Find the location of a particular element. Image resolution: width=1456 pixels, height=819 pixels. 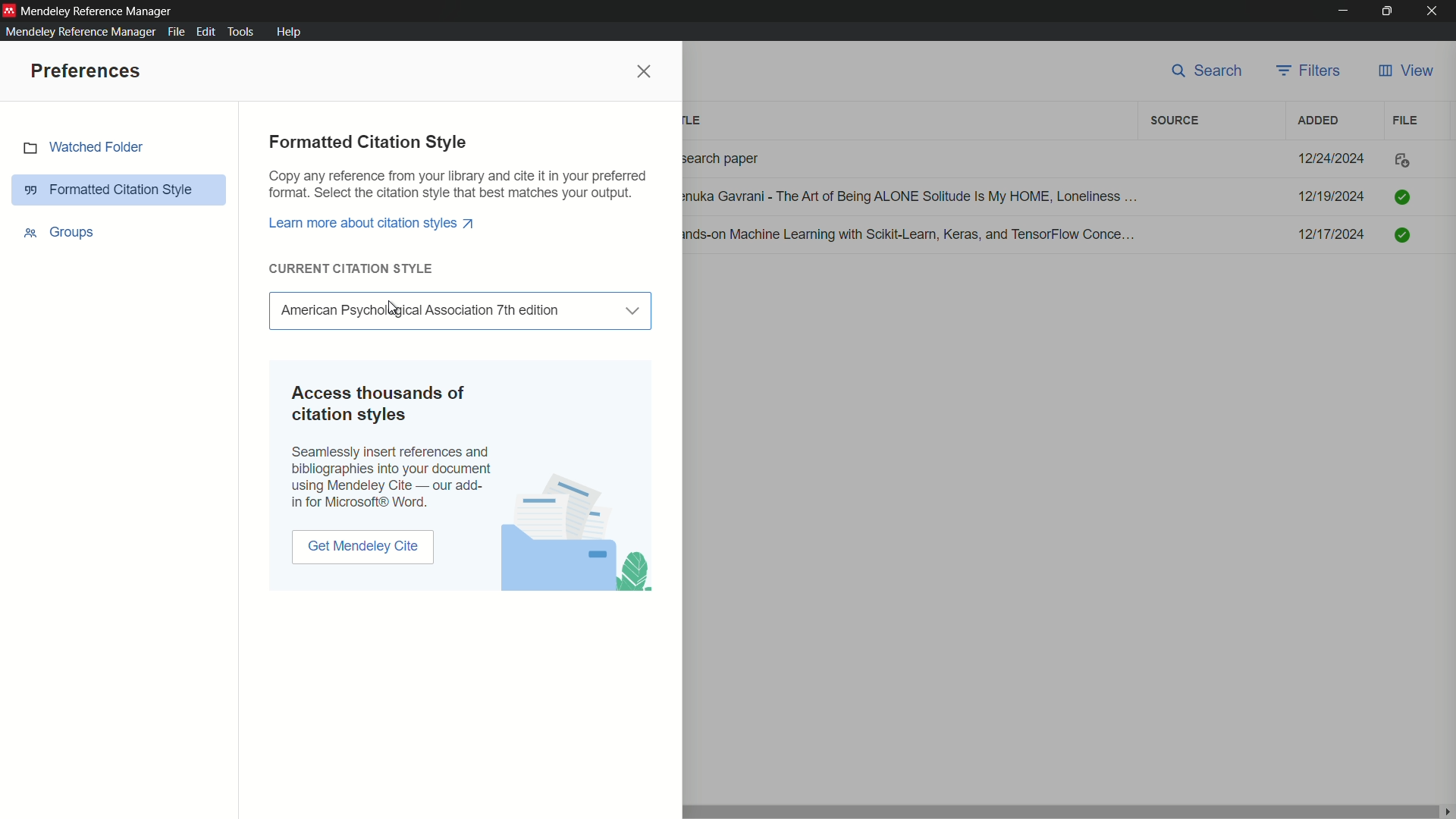

tools menu is located at coordinates (244, 32).